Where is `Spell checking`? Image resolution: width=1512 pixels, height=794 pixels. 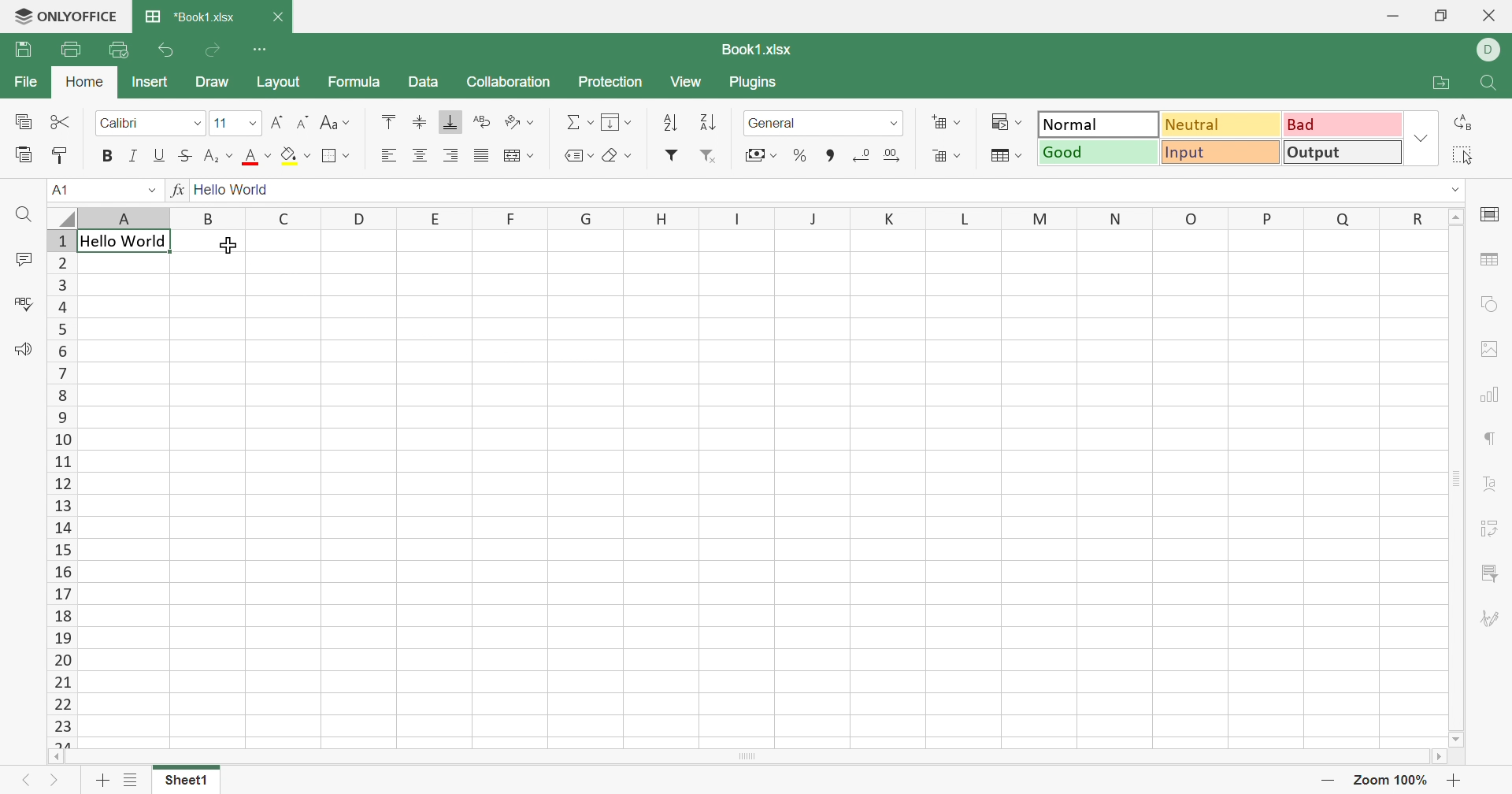 Spell checking is located at coordinates (26, 302).